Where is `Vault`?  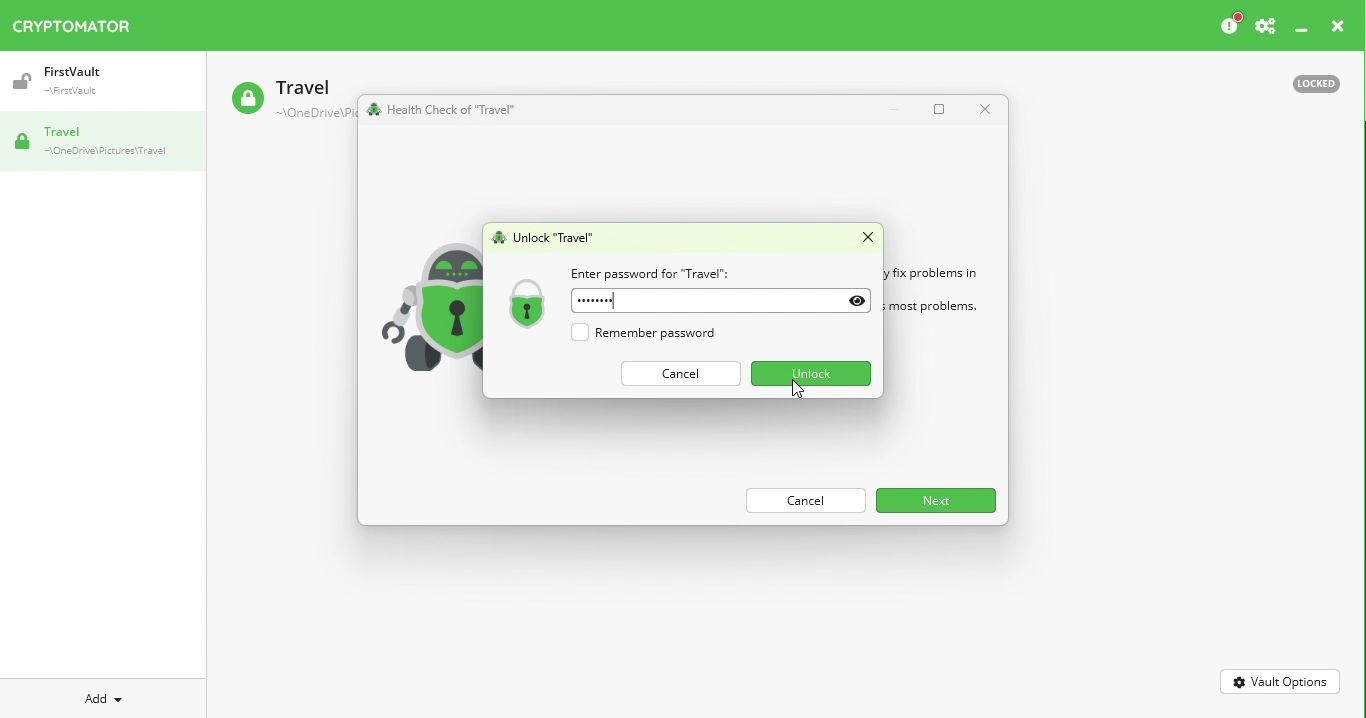
Vault is located at coordinates (62, 75).